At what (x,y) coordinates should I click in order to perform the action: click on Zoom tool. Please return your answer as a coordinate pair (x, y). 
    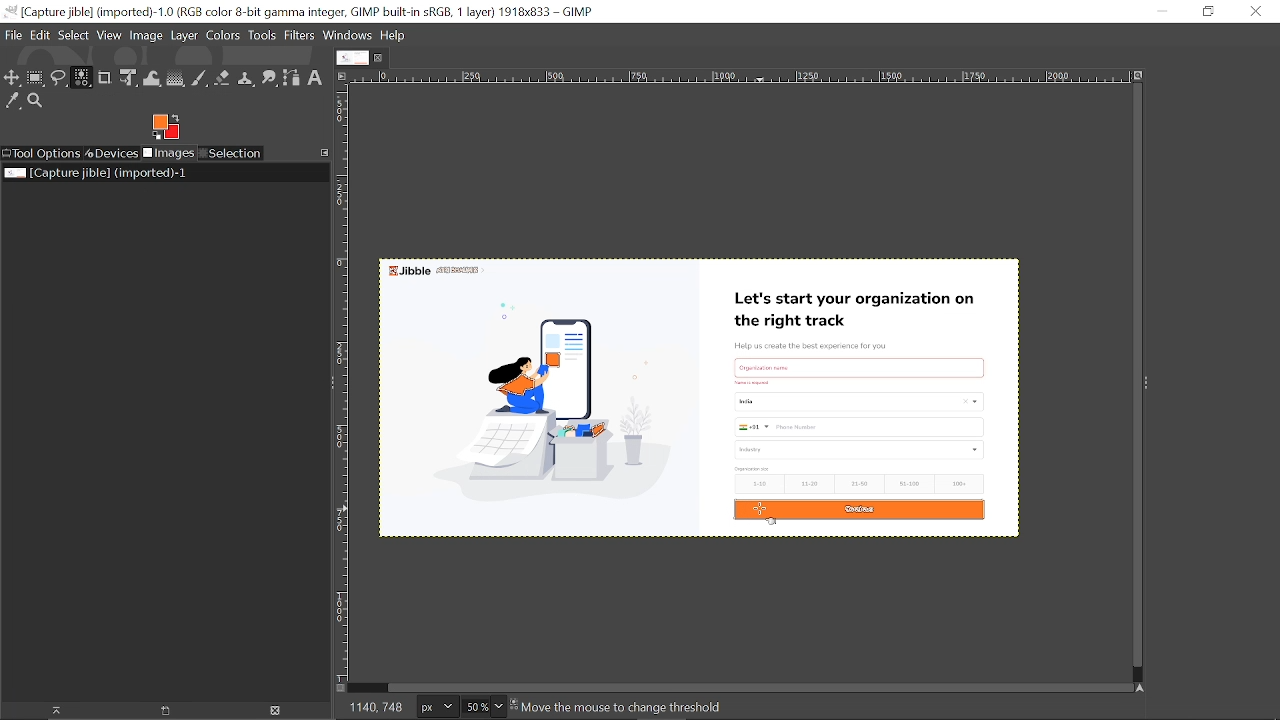
    Looking at the image, I should click on (38, 102).